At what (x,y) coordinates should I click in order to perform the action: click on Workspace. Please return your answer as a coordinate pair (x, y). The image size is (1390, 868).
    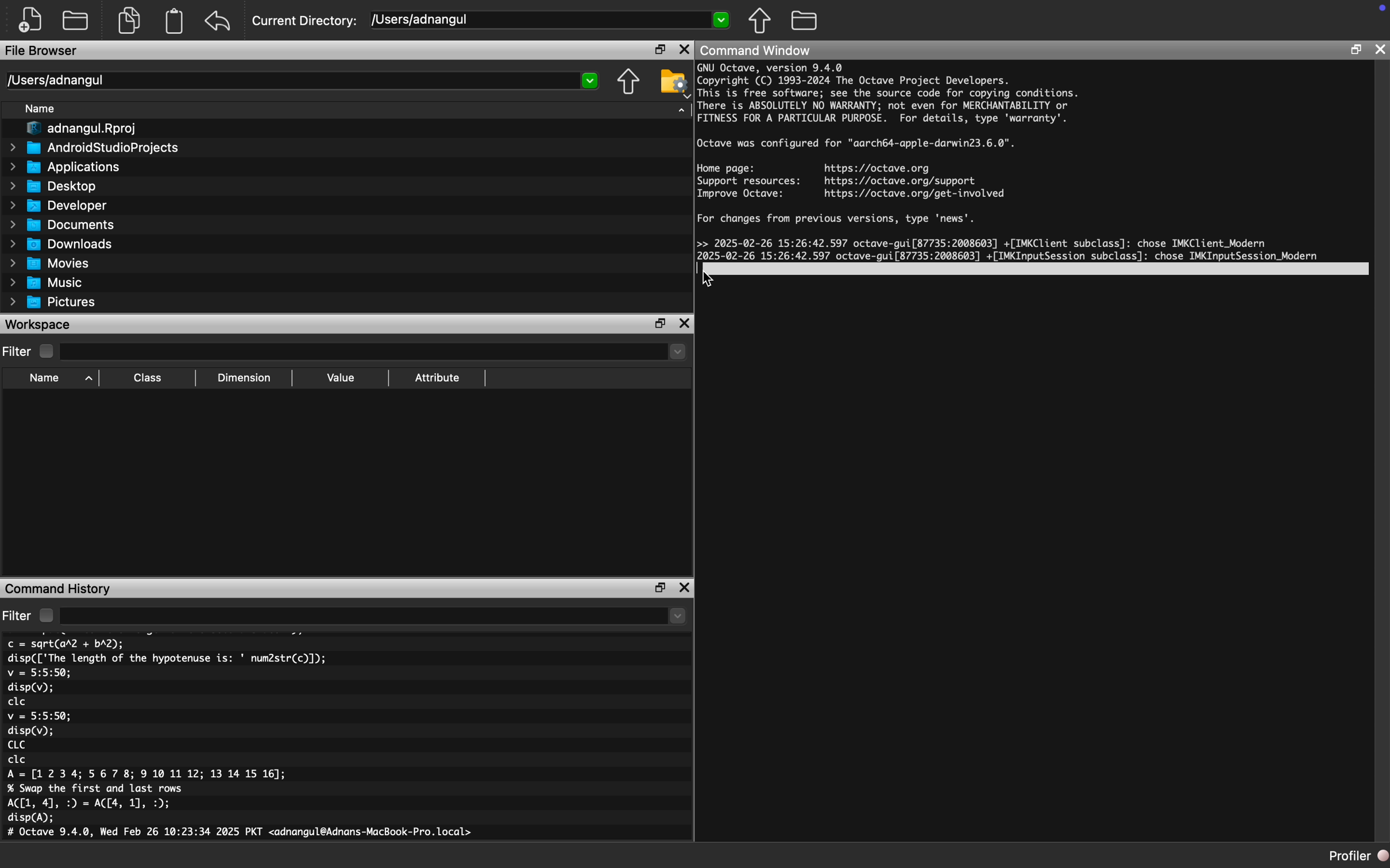
    Looking at the image, I should click on (39, 325).